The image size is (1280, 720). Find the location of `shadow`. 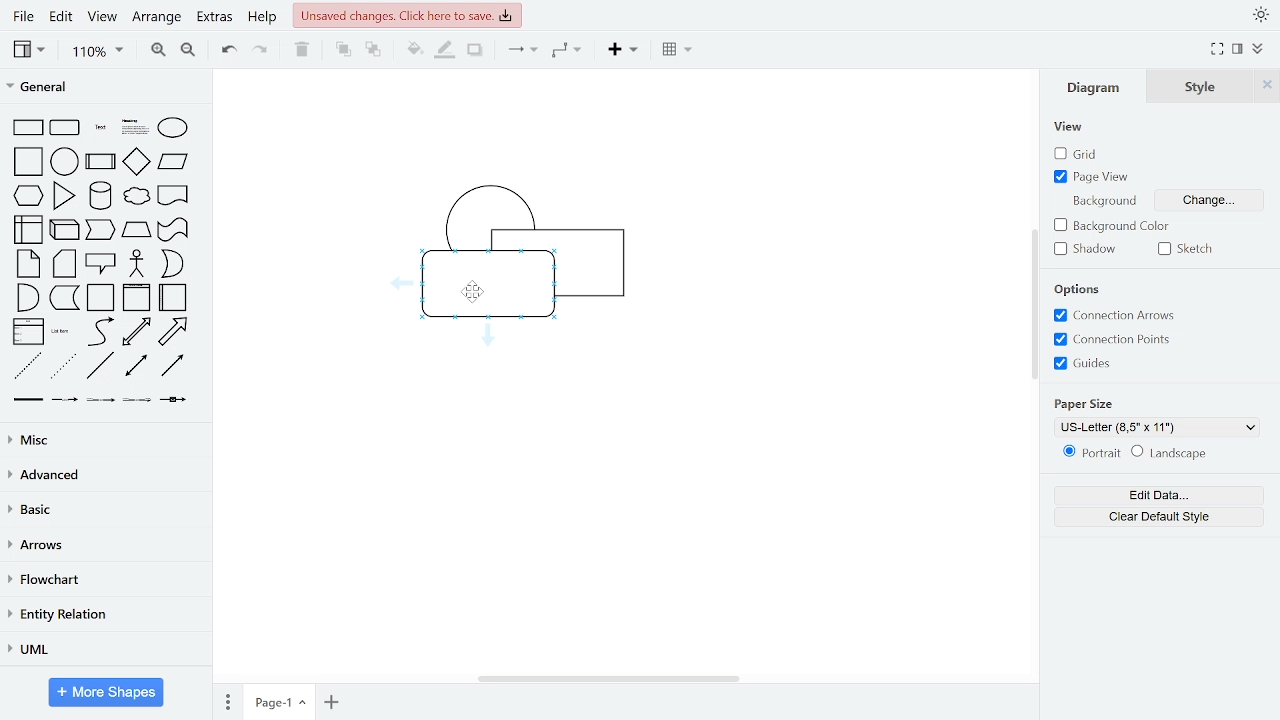

shadow is located at coordinates (478, 53).